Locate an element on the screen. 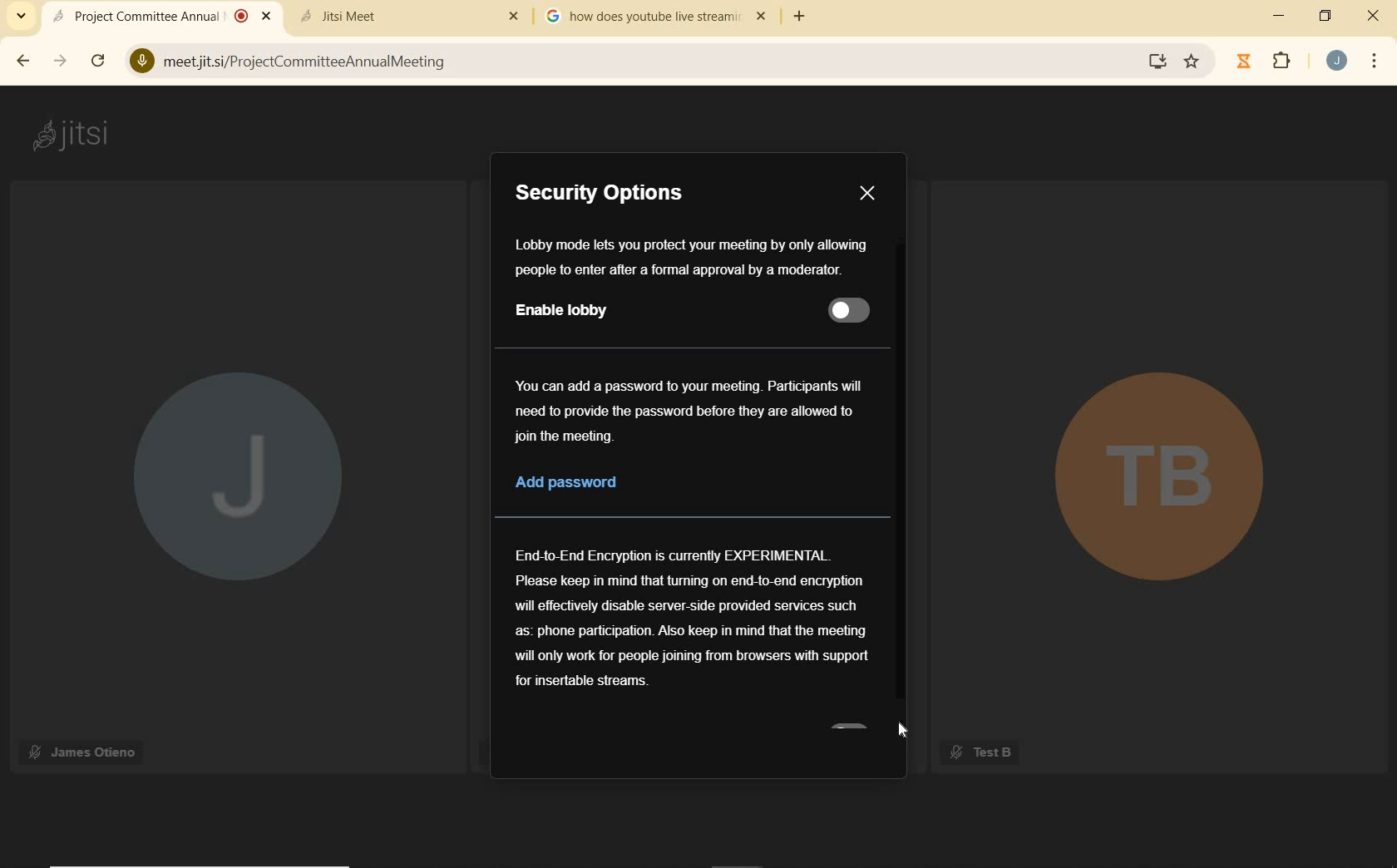 The image size is (1397, 868). SEARCH TABS is located at coordinates (22, 16).